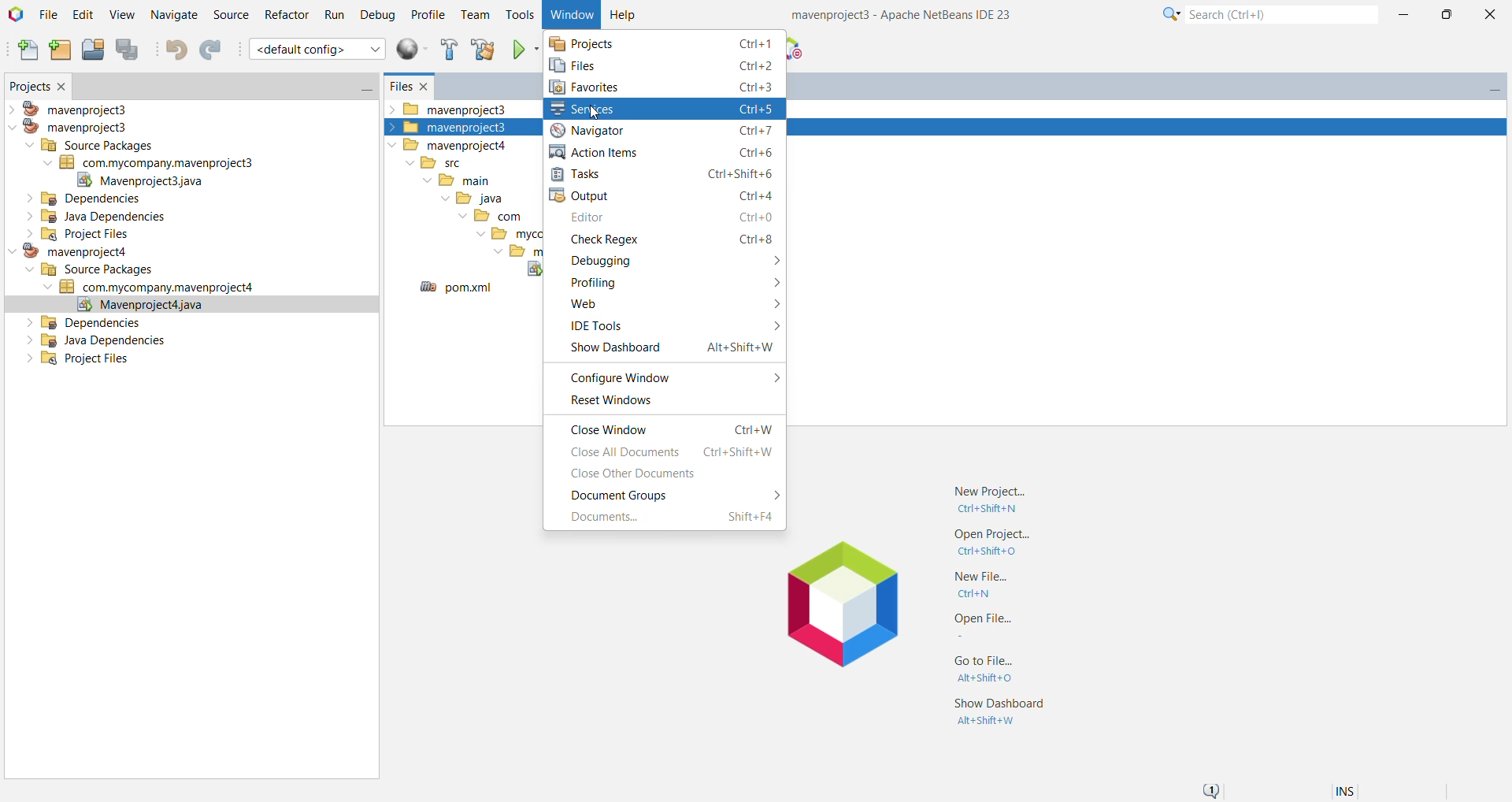 This screenshot has height=802, width=1512. I want to click on Java Source Package (com.mycompany.mavenproject3), so click(162, 162).